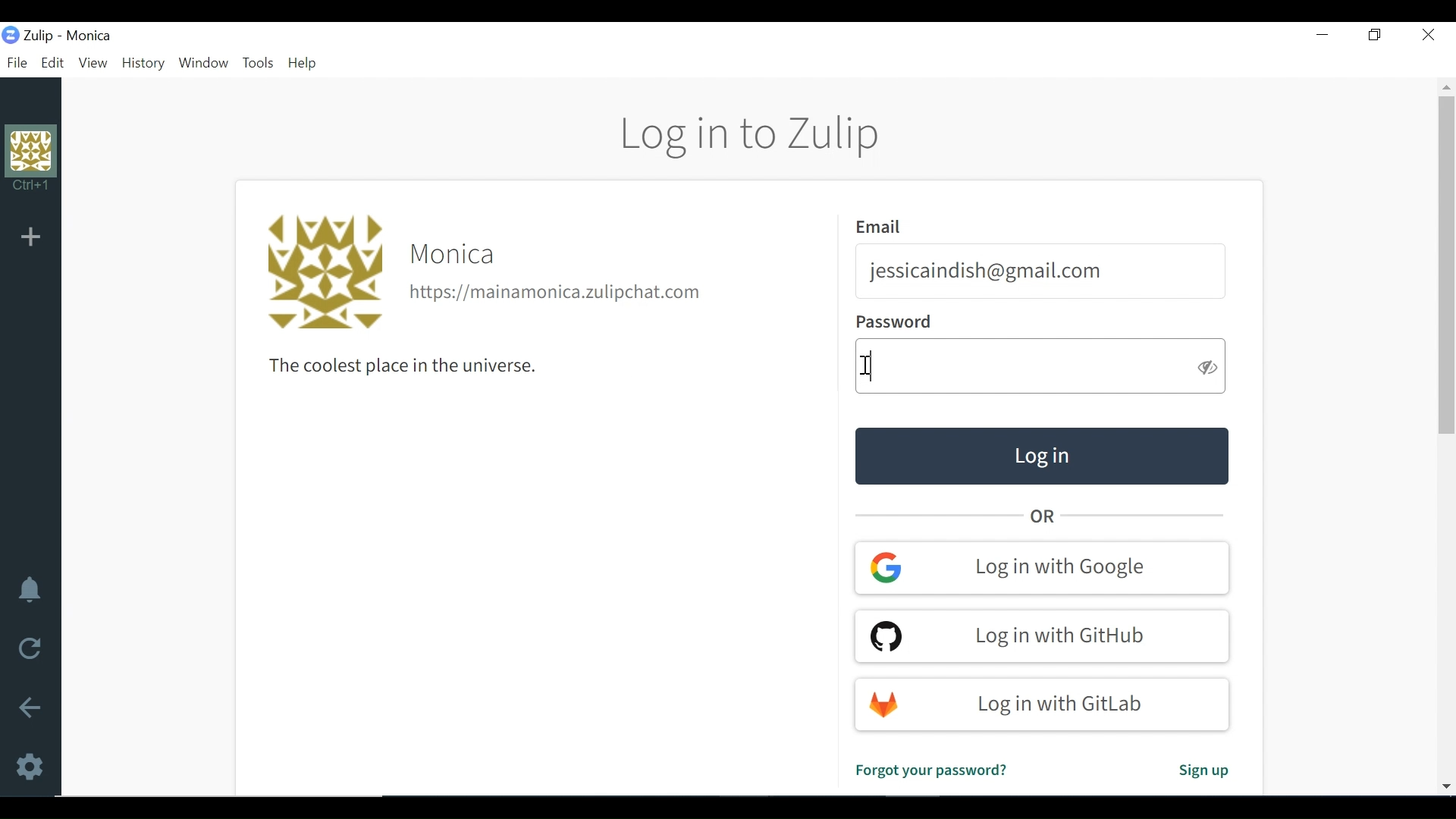 The width and height of the screenshot is (1456, 819). Describe the element at coordinates (1041, 635) in the screenshot. I see `Log in with GitHub` at that location.